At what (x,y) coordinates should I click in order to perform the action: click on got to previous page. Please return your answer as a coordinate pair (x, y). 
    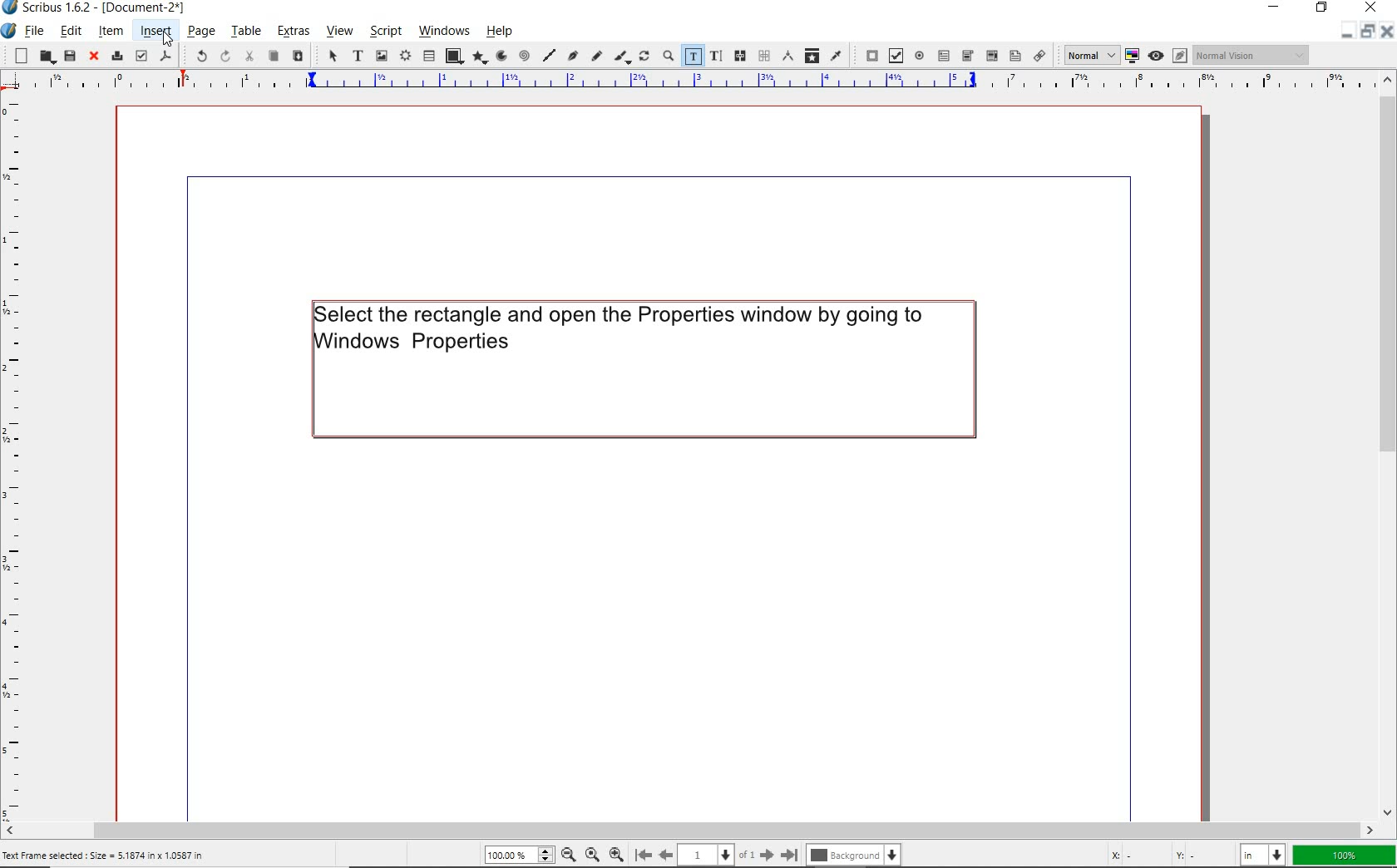
    Looking at the image, I should click on (666, 855).